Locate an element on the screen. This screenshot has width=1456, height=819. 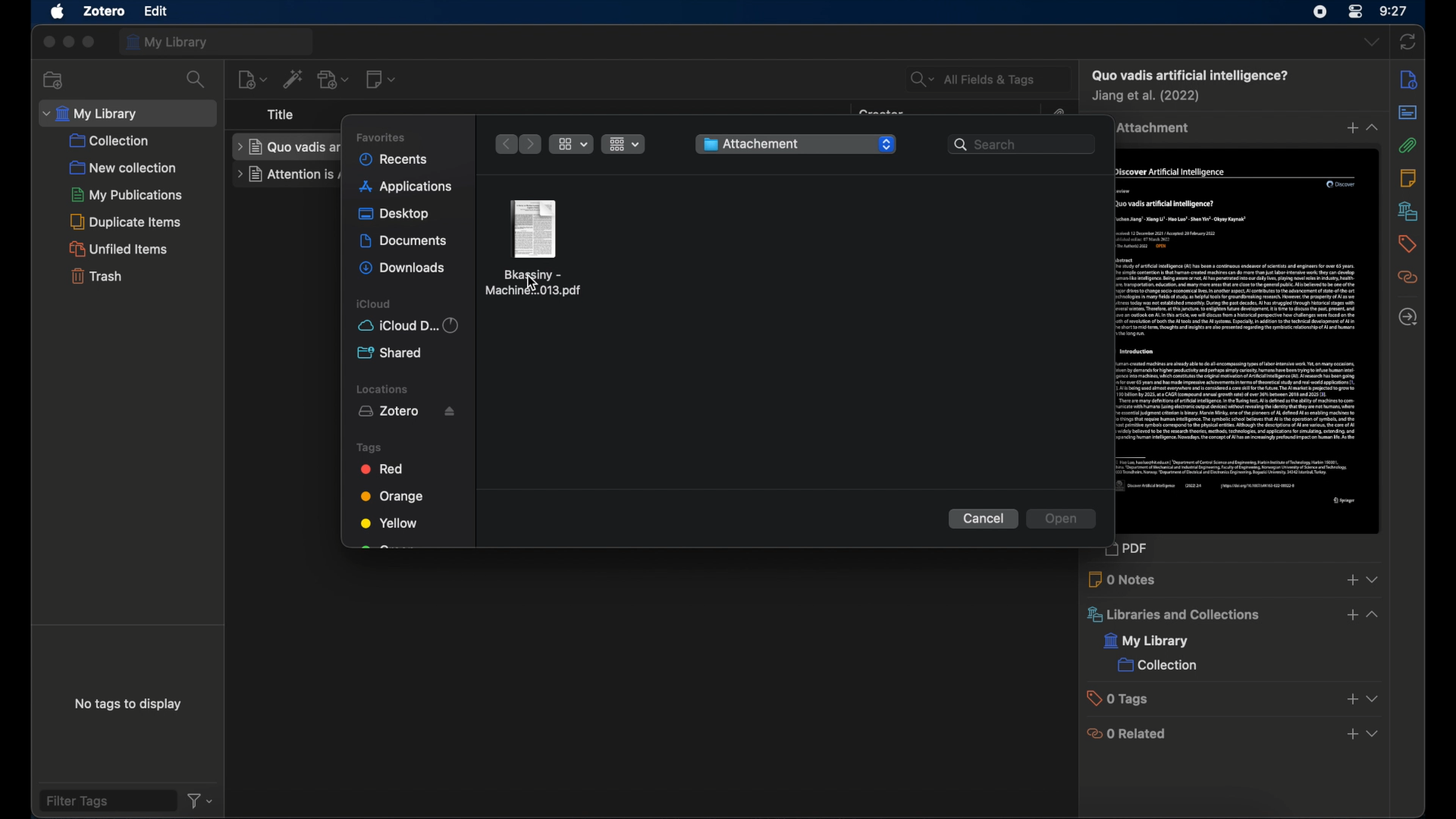
new note is located at coordinates (382, 80).